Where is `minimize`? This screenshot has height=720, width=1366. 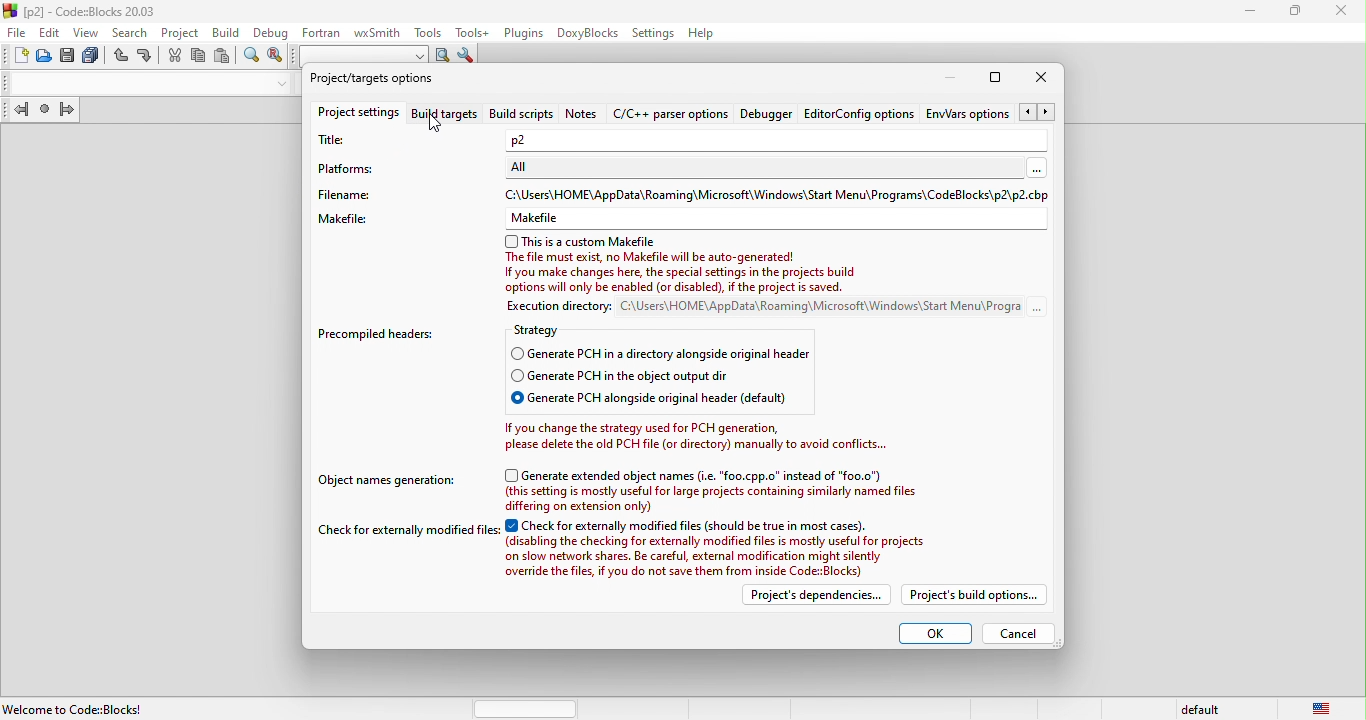
minimize is located at coordinates (944, 78).